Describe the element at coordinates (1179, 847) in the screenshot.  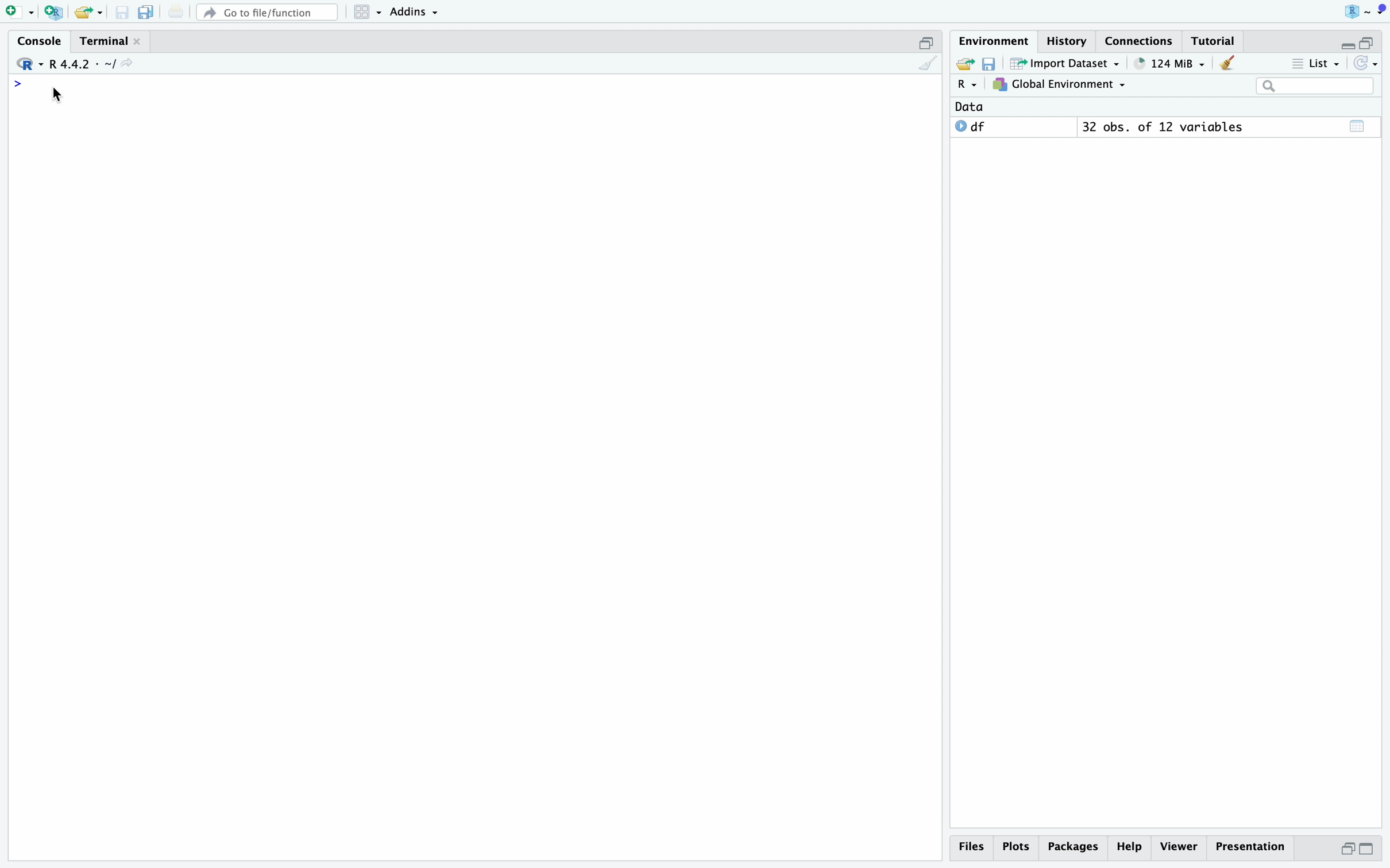
I see `viewer` at that location.